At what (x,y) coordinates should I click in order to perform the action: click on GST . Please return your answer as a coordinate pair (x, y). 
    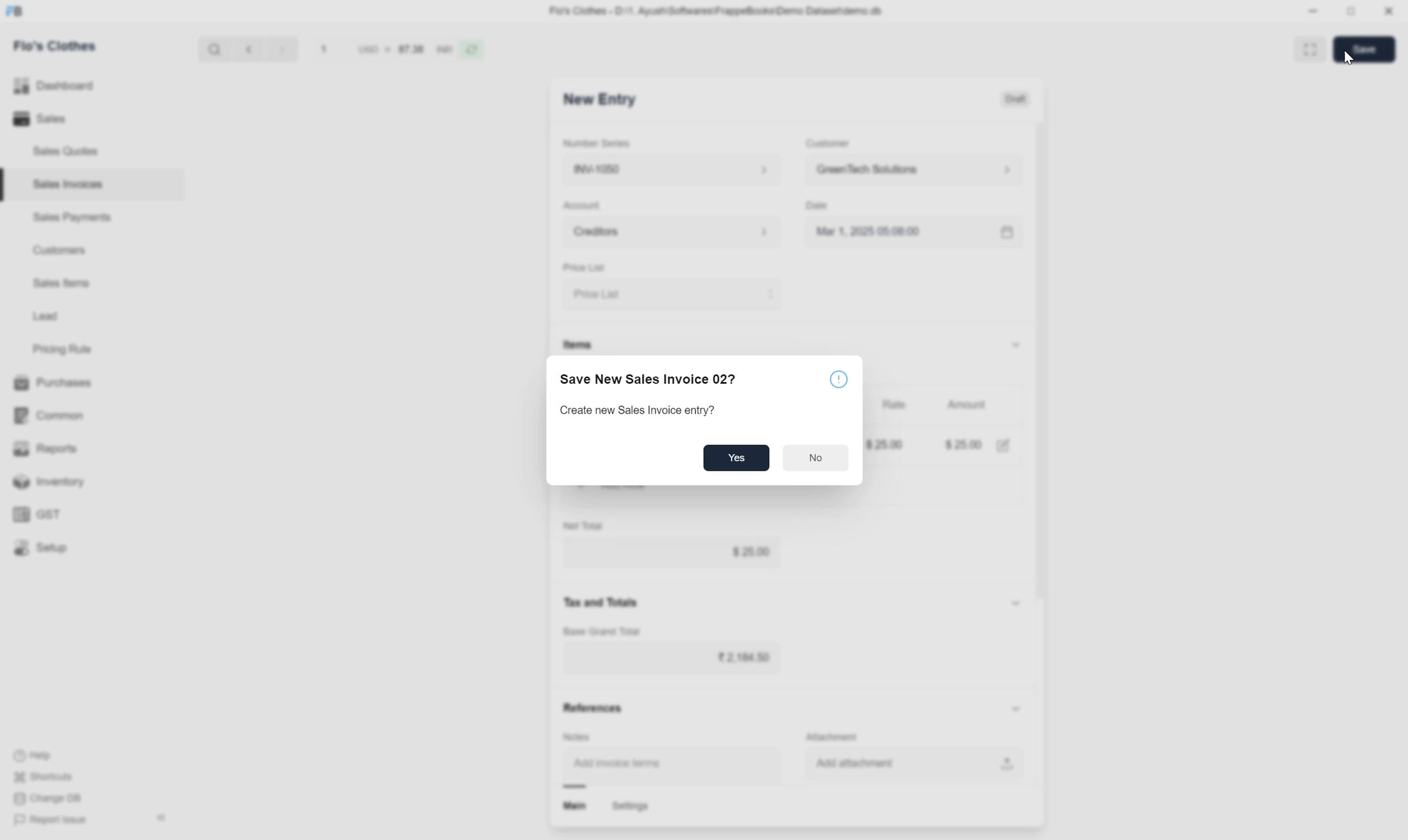
    Looking at the image, I should click on (79, 513).